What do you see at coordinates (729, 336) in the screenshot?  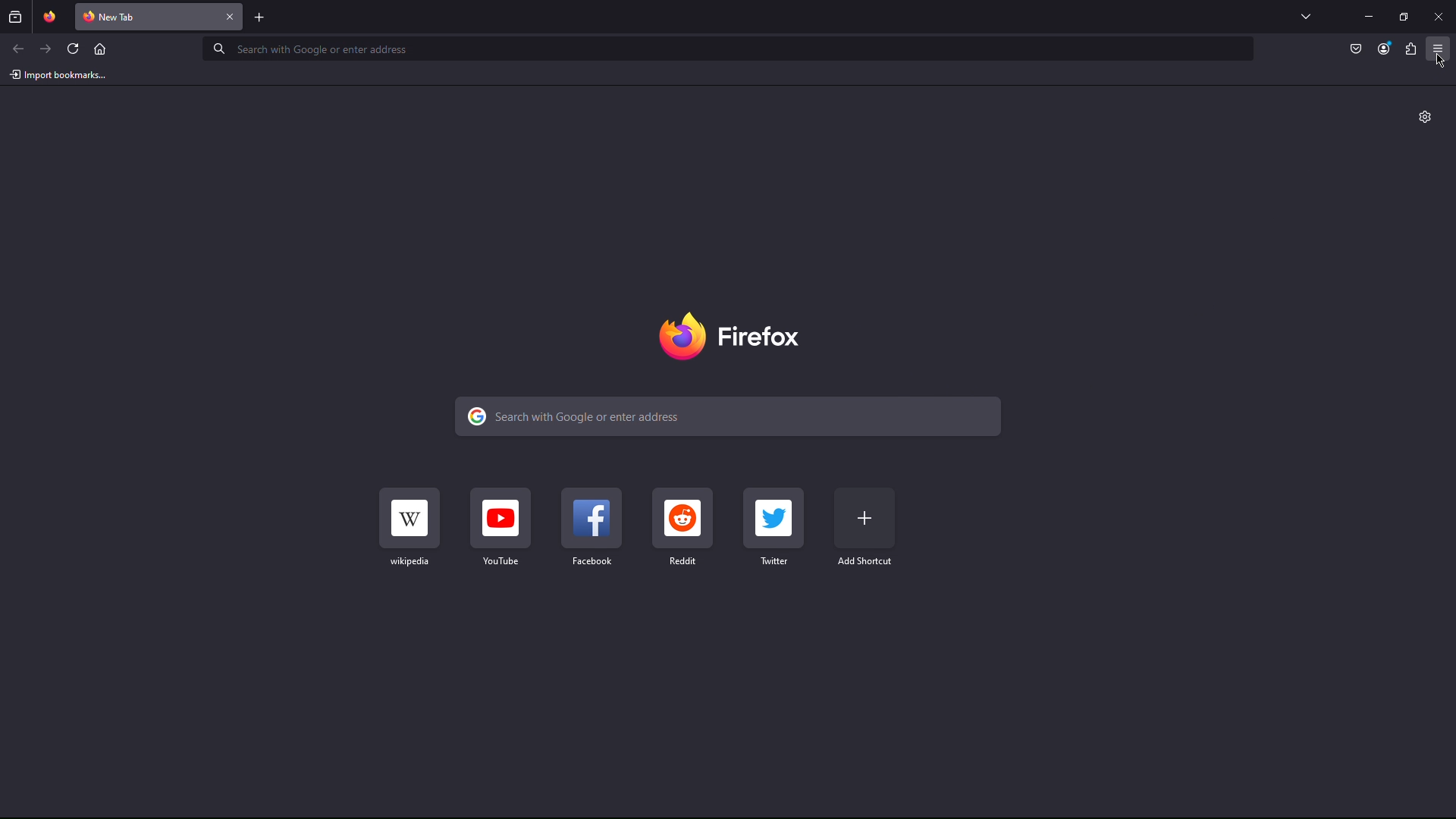 I see `Firefox name and logo` at bounding box center [729, 336].